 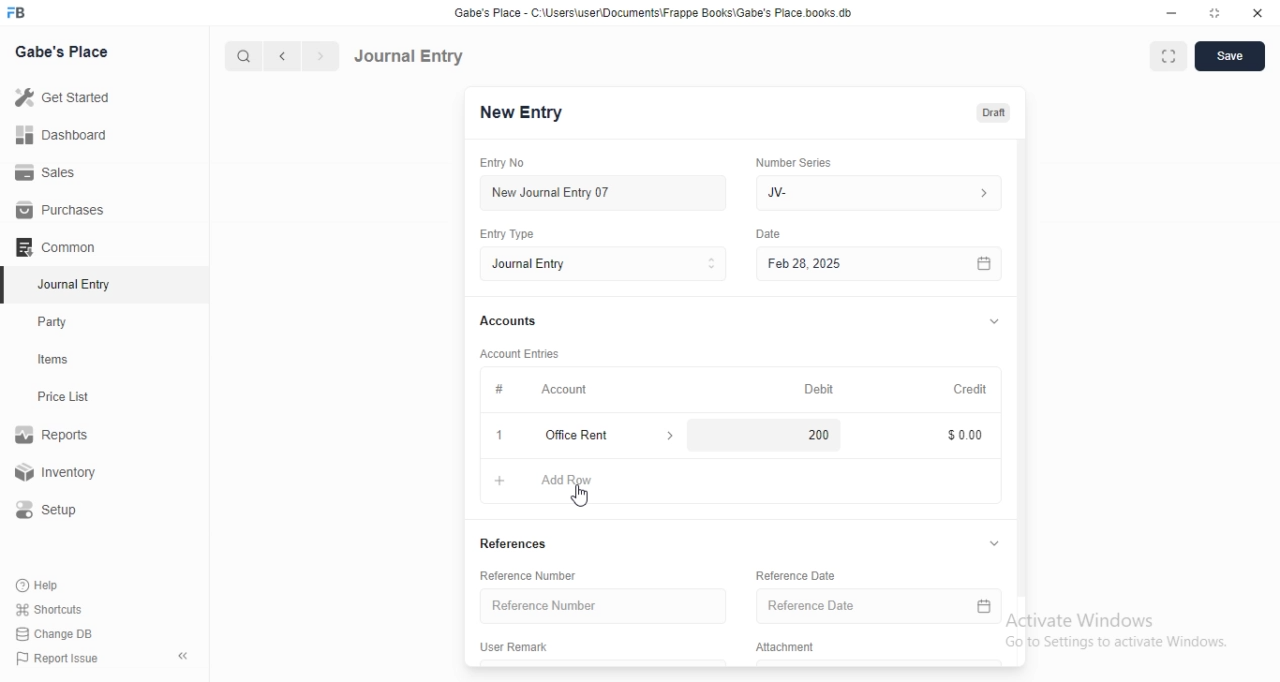 What do you see at coordinates (960, 436) in the screenshot?
I see `$ 0.00` at bounding box center [960, 436].